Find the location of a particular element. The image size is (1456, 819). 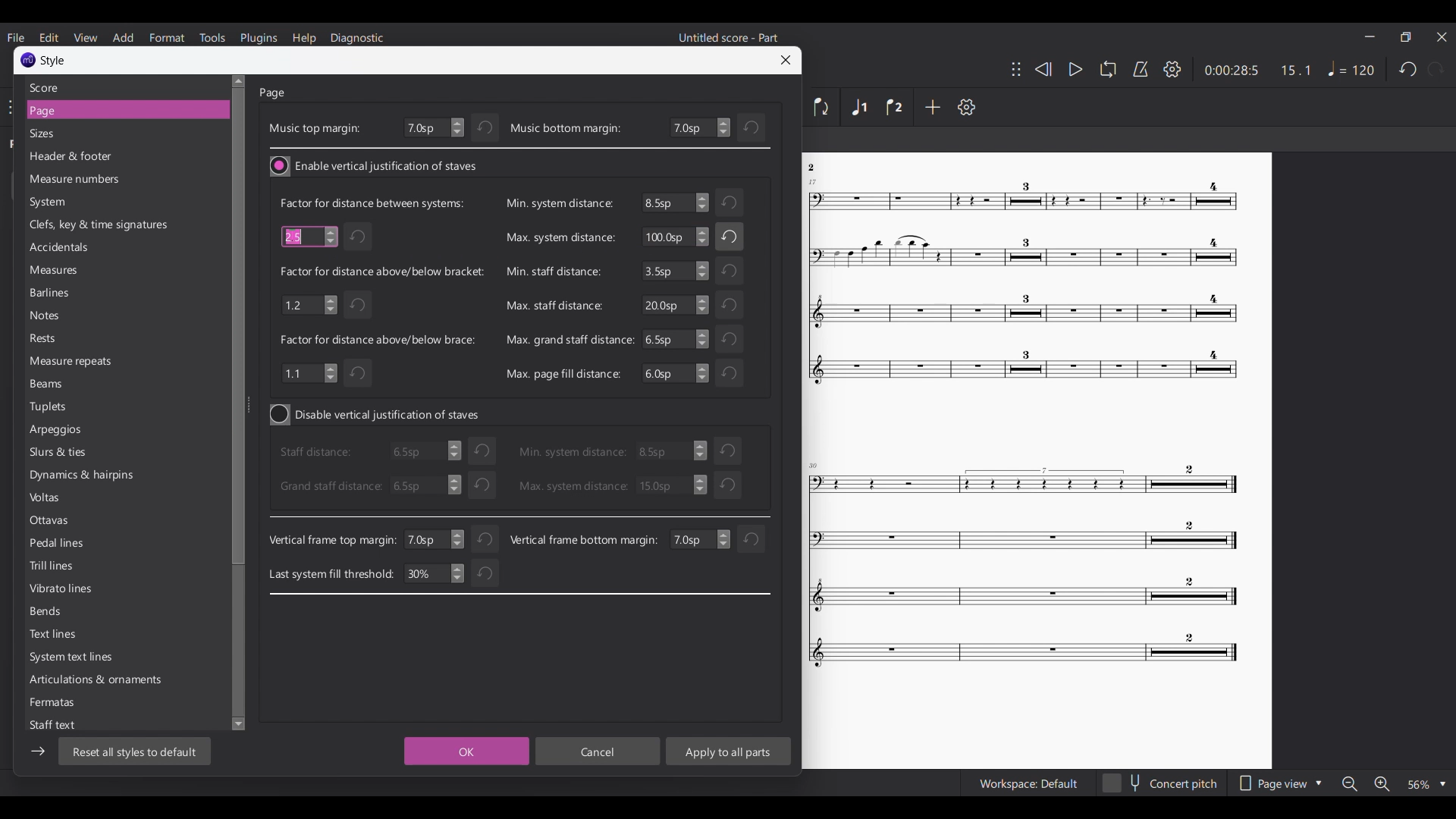

Arpeggias is located at coordinates (71, 430).